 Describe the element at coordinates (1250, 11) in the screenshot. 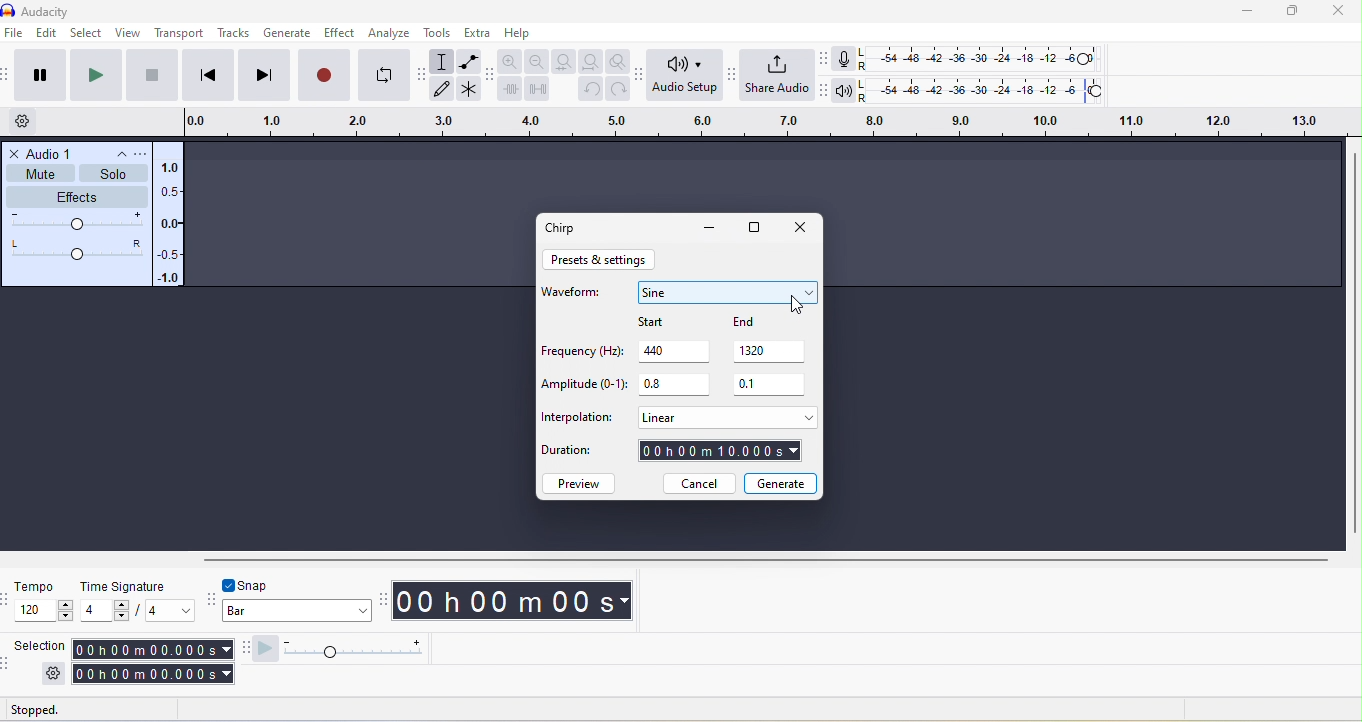

I see `minimize` at that location.